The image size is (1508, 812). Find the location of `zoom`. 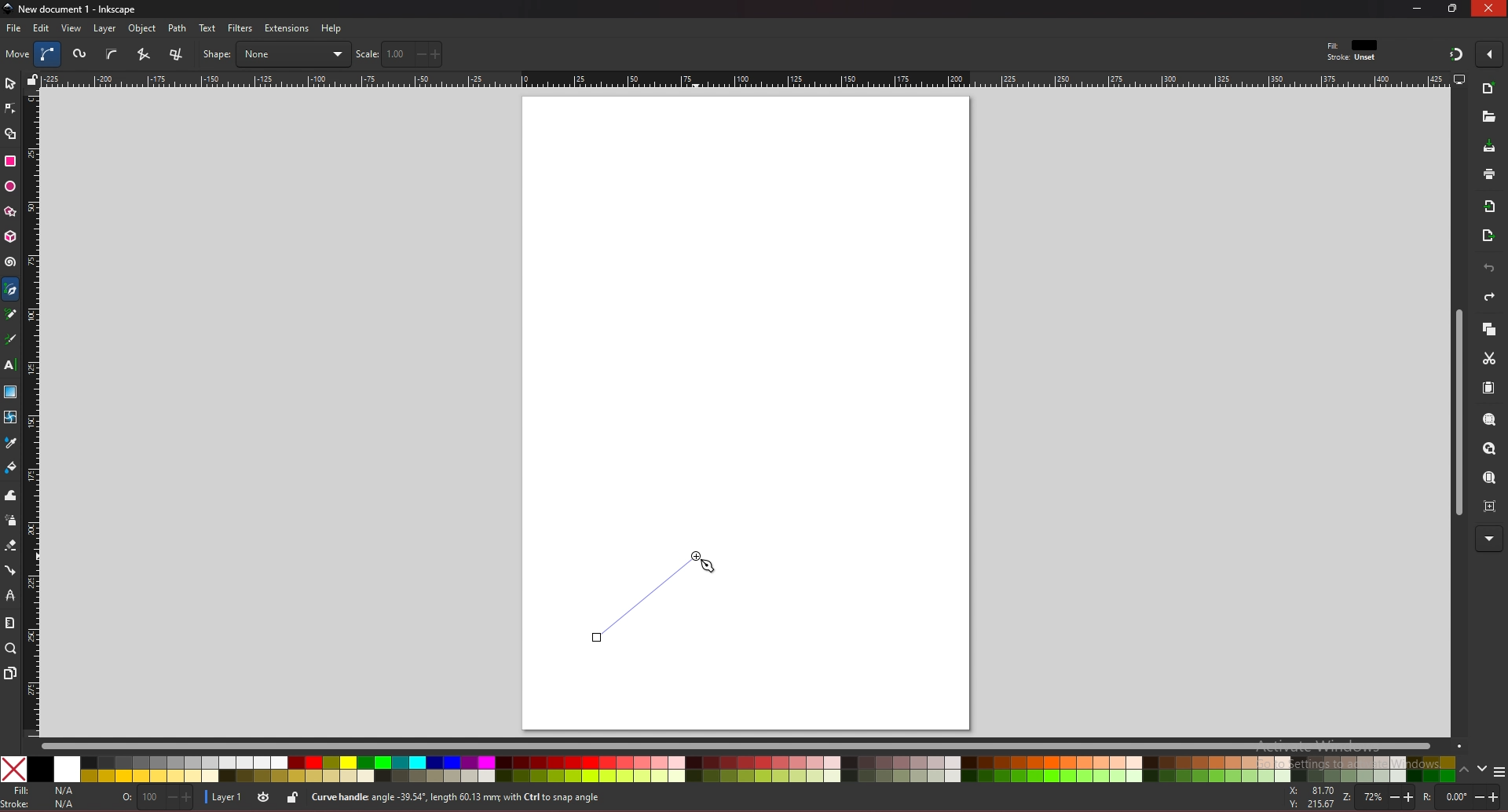

zoom is located at coordinates (1376, 798).